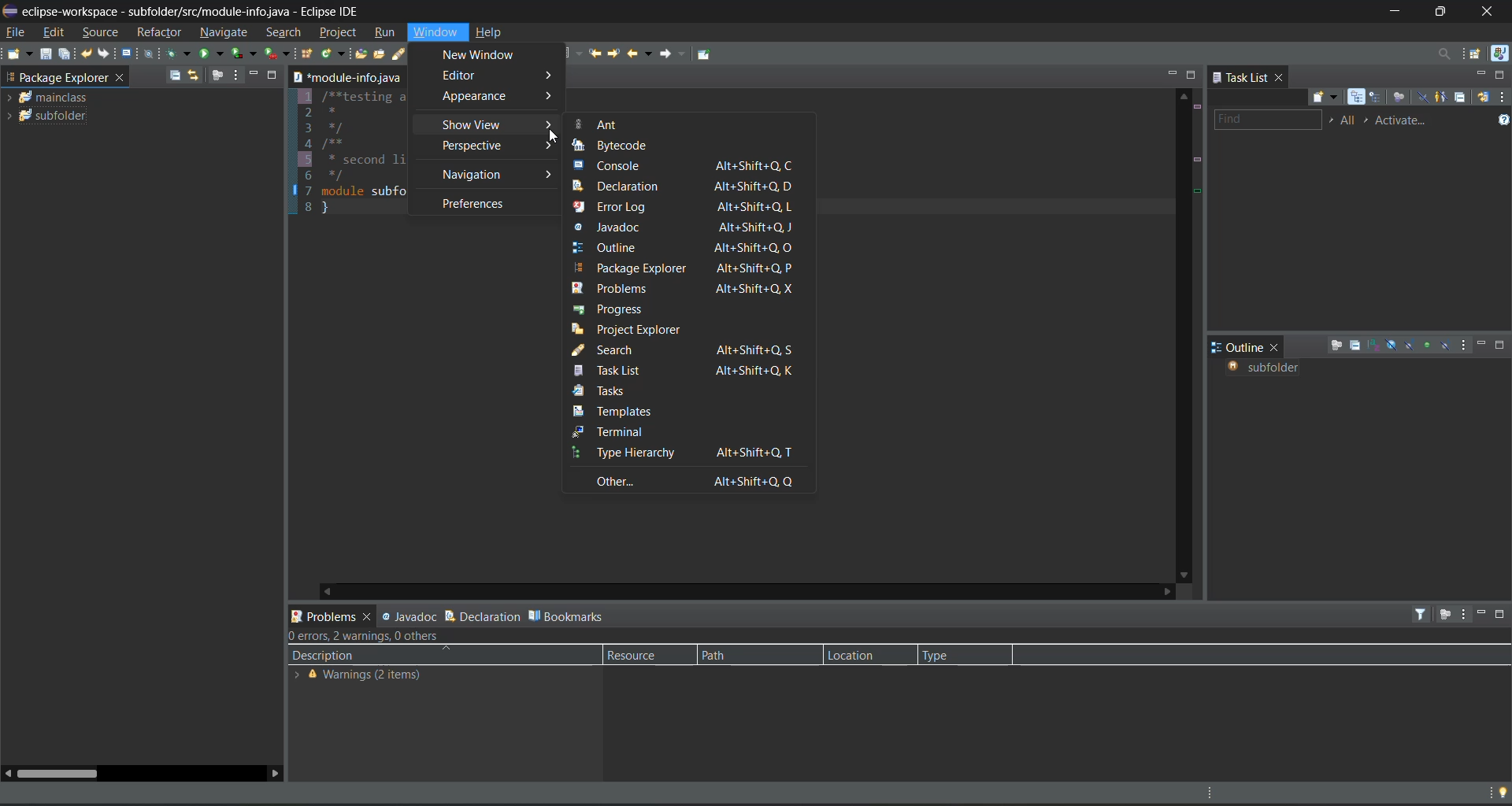 This screenshot has height=806, width=1512. Describe the element at coordinates (47, 54) in the screenshot. I see `save` at that location.